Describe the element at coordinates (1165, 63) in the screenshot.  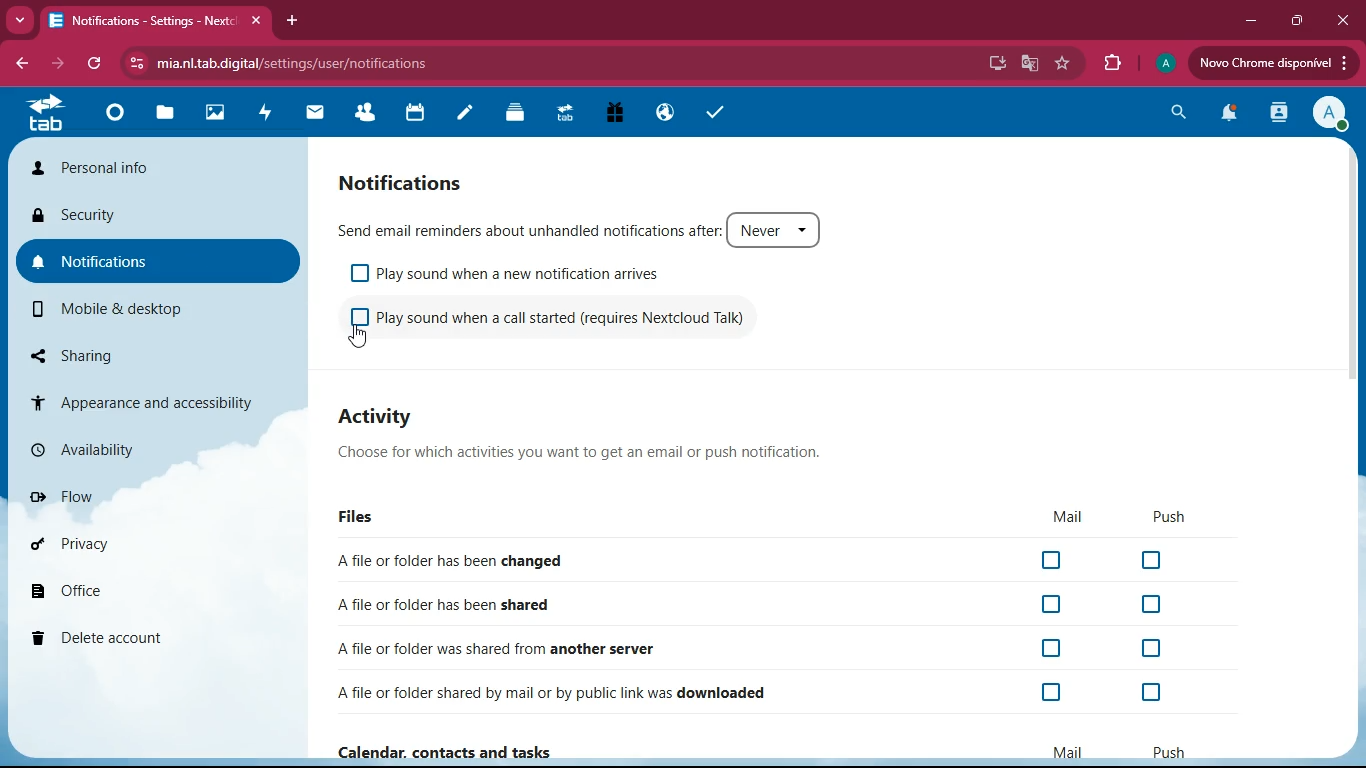
I see `profile` at that location.